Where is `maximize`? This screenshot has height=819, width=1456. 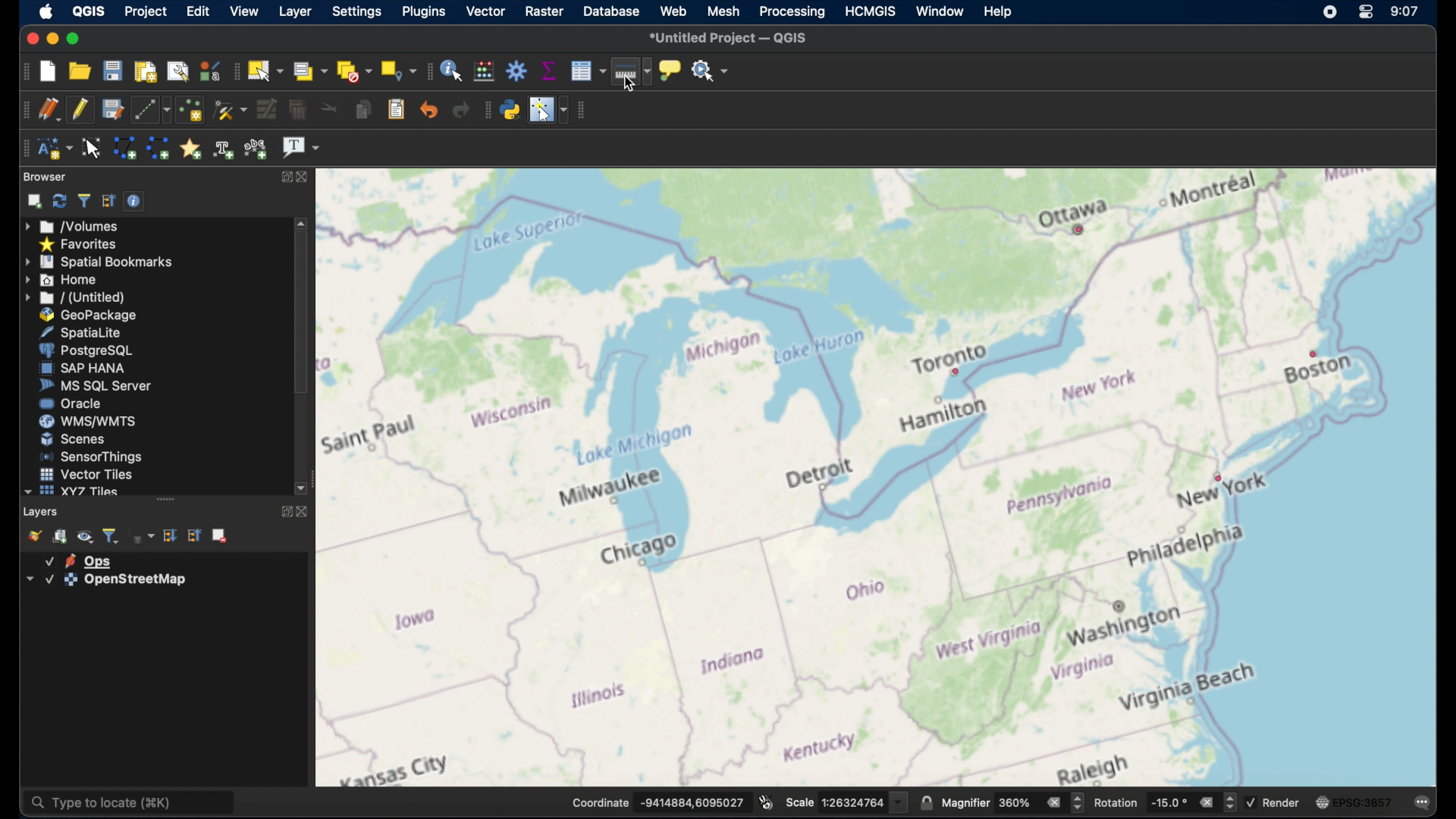 maximize is located at coordinates (287, 177).